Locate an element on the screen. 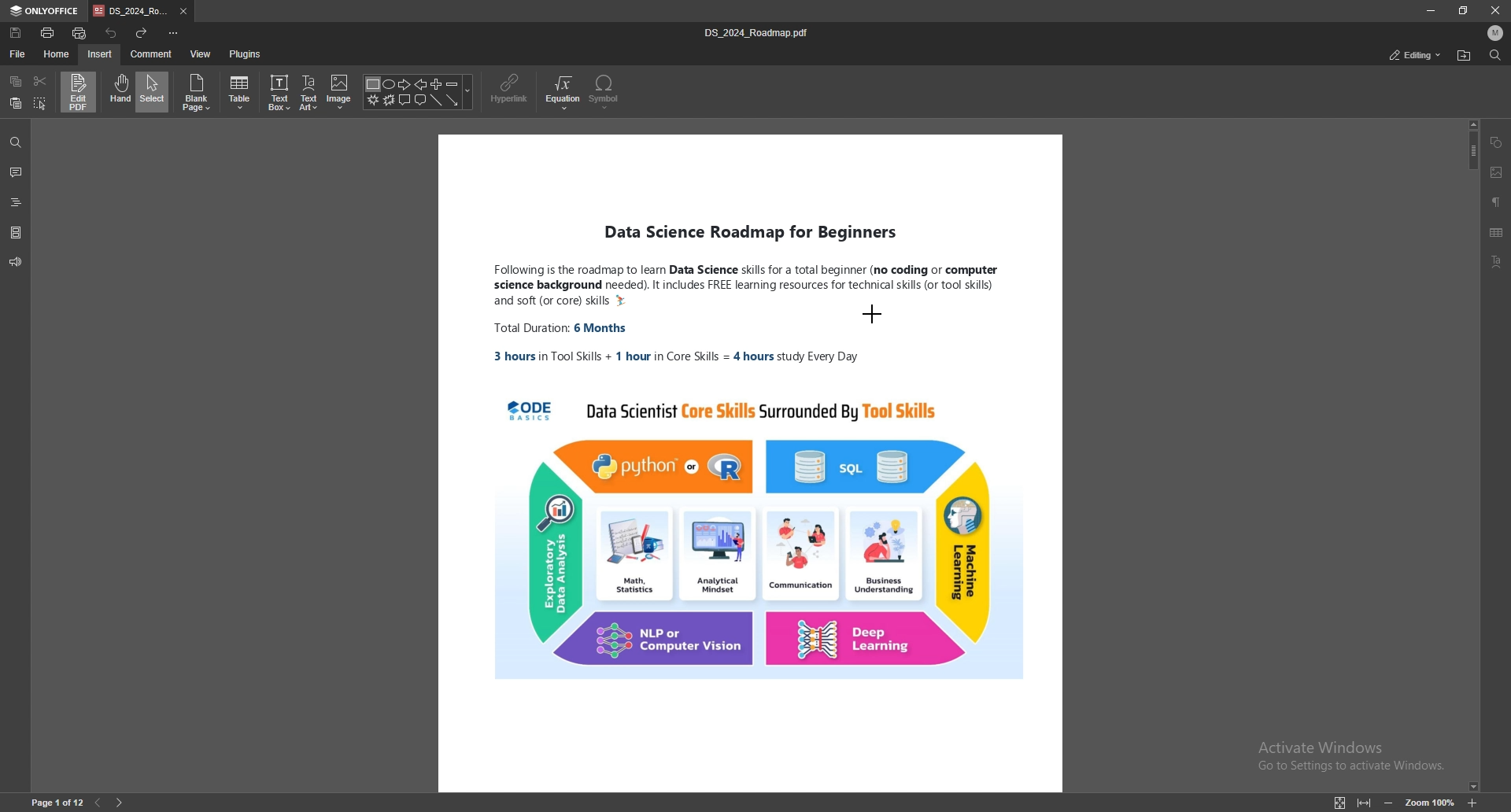 The width and height of the screenshot is (1511, 812). plugins is located at coordinates (245, 54).